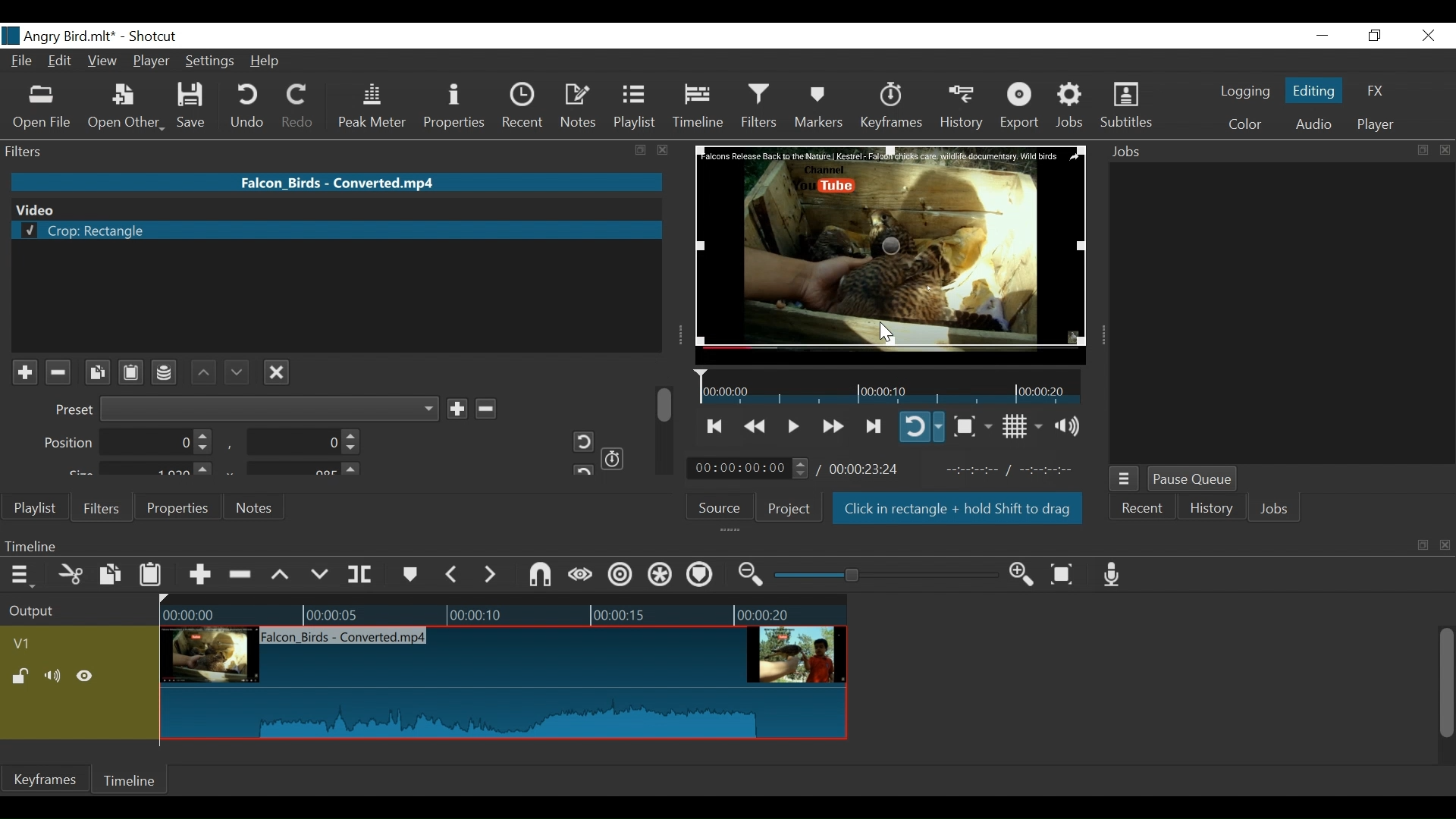 The image size is (1456, 819). I want to click on Total Duration, so click(866, 469).